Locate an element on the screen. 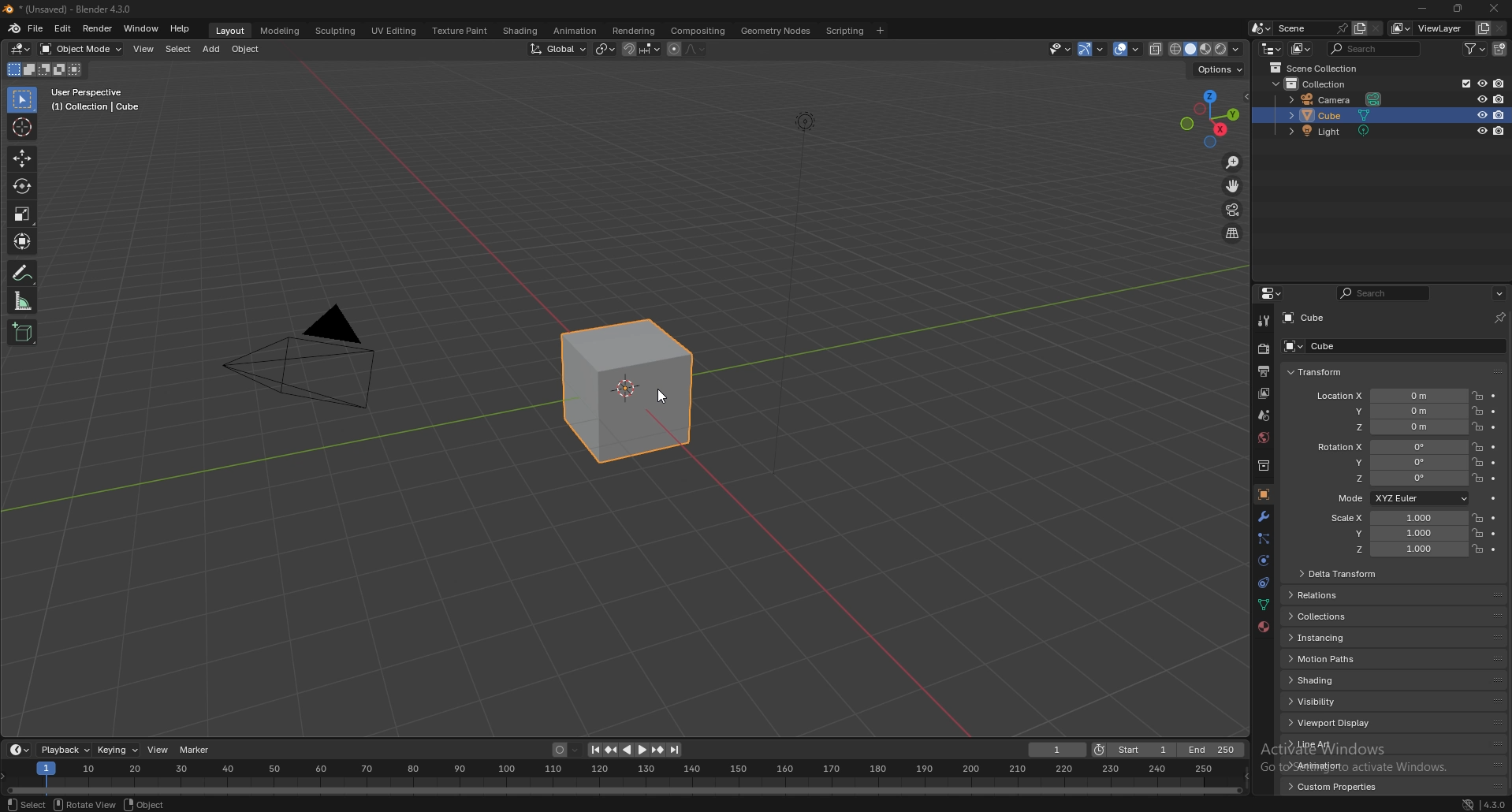 This screenshot has width=1512, height=812. close is located at coordinates (1492, 9).